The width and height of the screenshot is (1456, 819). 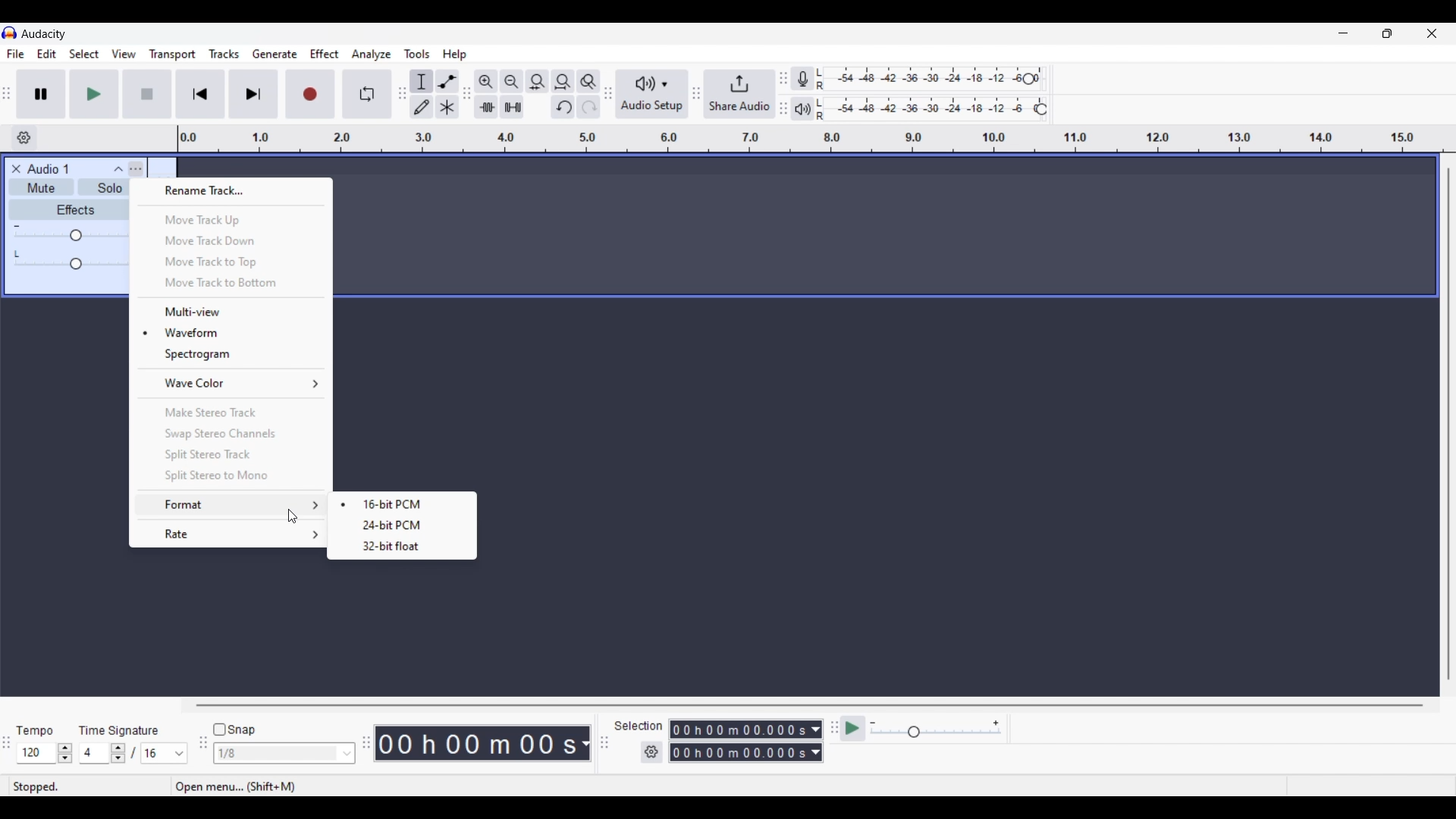 I want to click on Decrease playback speed to minimum, so click(x=873, y=723).